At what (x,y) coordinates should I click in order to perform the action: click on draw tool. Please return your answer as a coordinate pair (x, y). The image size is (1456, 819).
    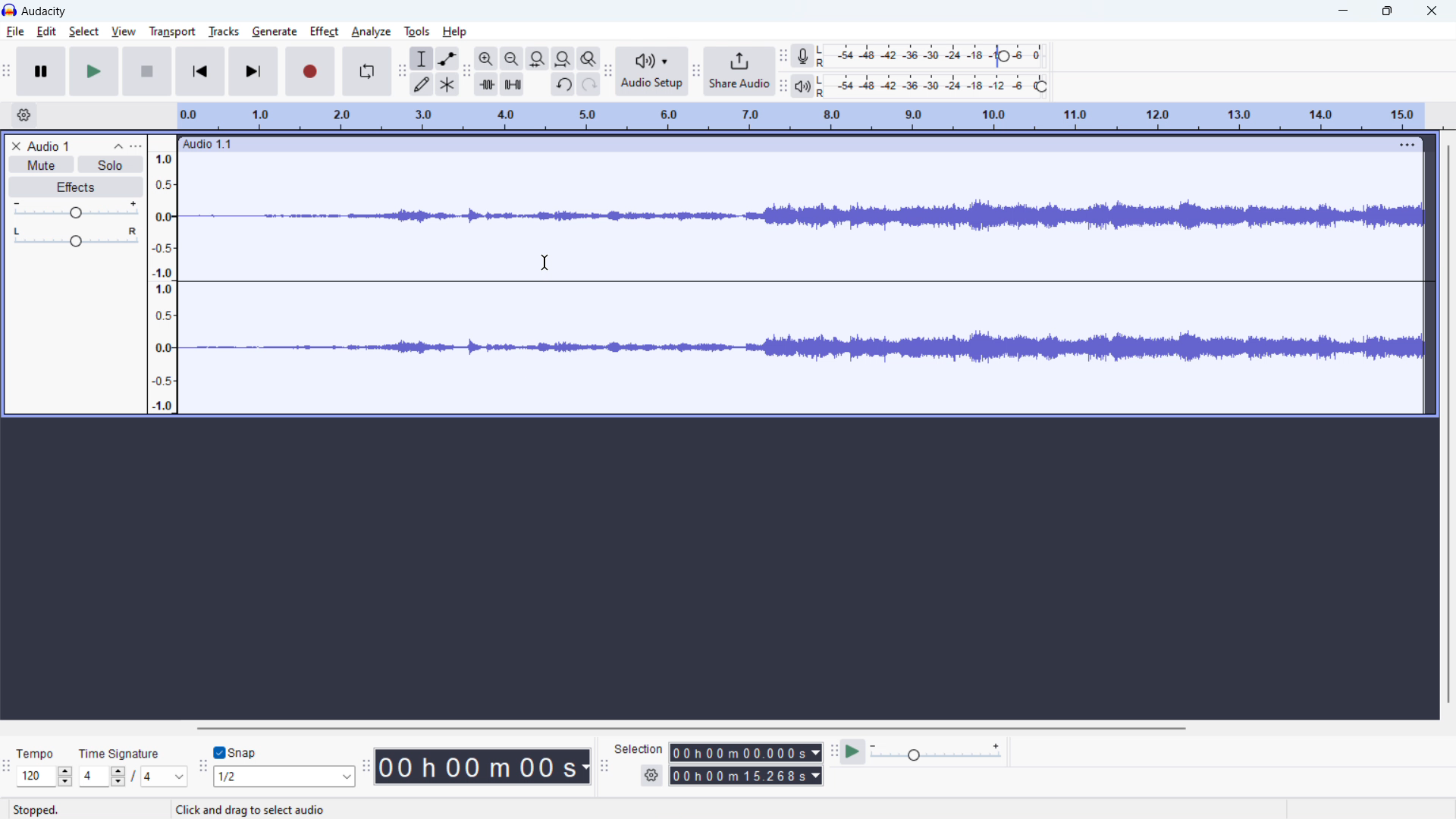
    Looking at the image, I should click on (422, 83).